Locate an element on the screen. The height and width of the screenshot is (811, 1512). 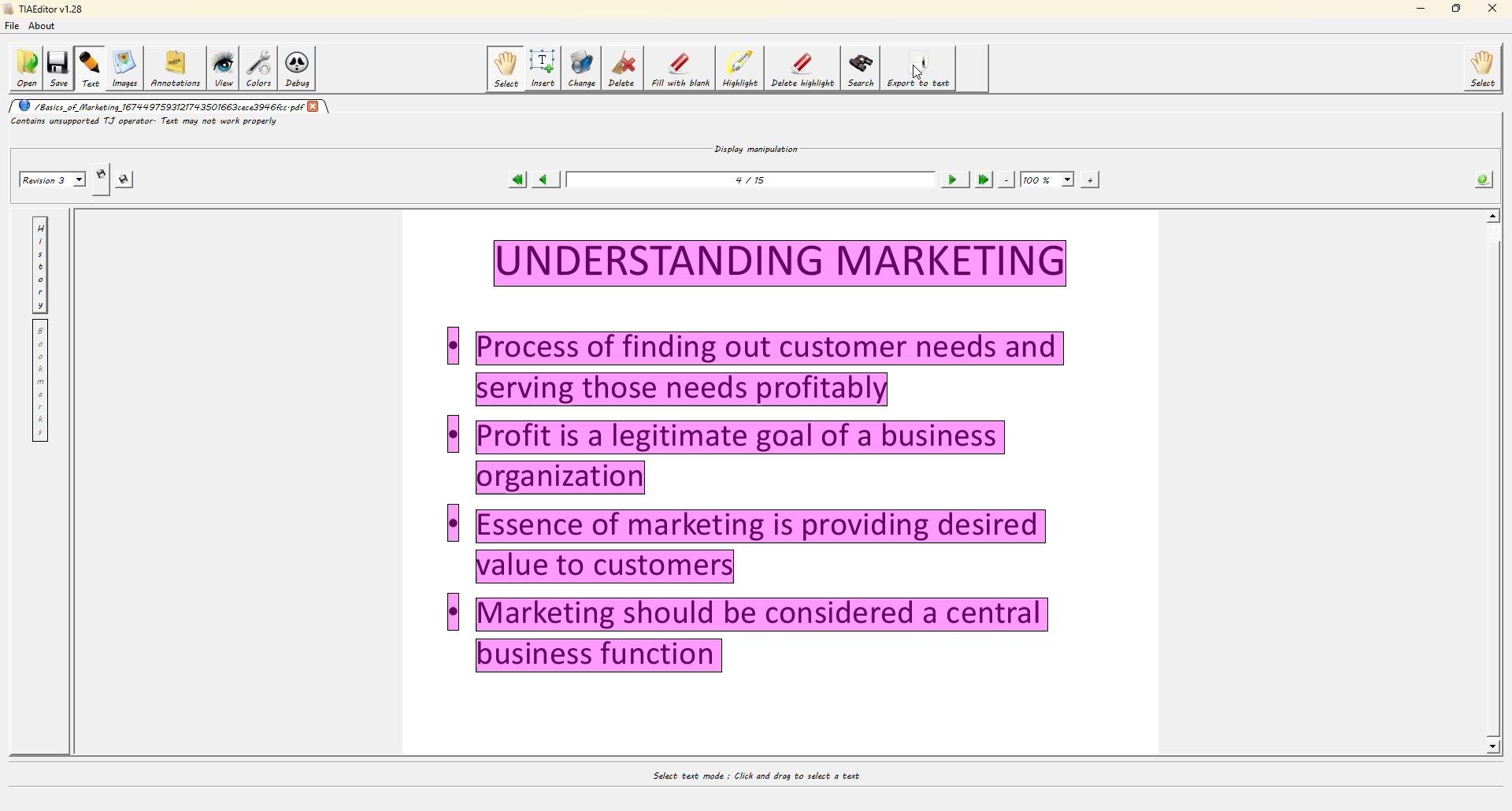
export to text is located at coordinates (921, 67).